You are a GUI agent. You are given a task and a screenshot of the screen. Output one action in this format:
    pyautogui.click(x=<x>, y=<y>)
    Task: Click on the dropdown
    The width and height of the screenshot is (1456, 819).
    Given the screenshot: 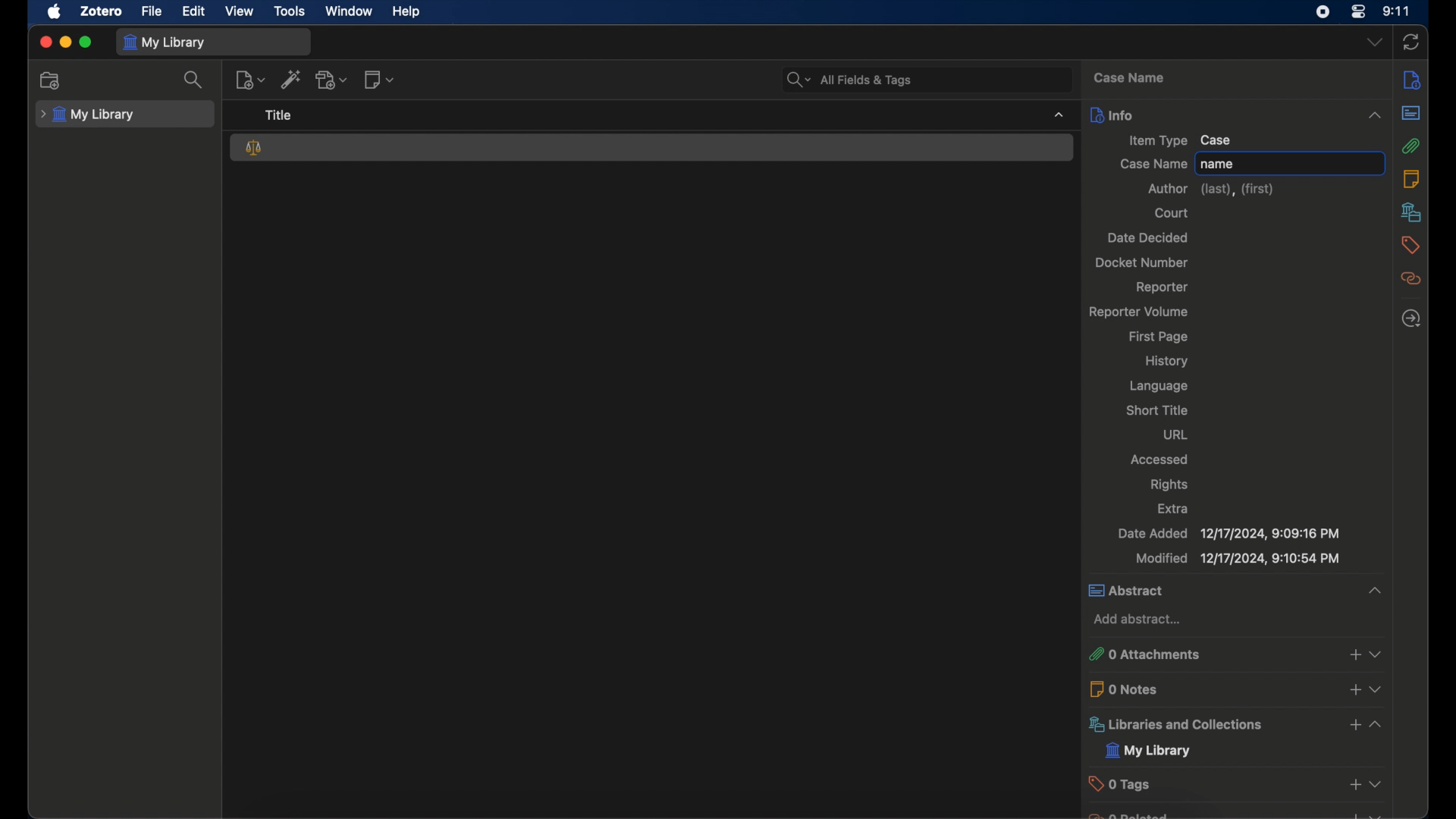 What is the action you would take?
    pyautogui.click(x=1373, y=42)
    